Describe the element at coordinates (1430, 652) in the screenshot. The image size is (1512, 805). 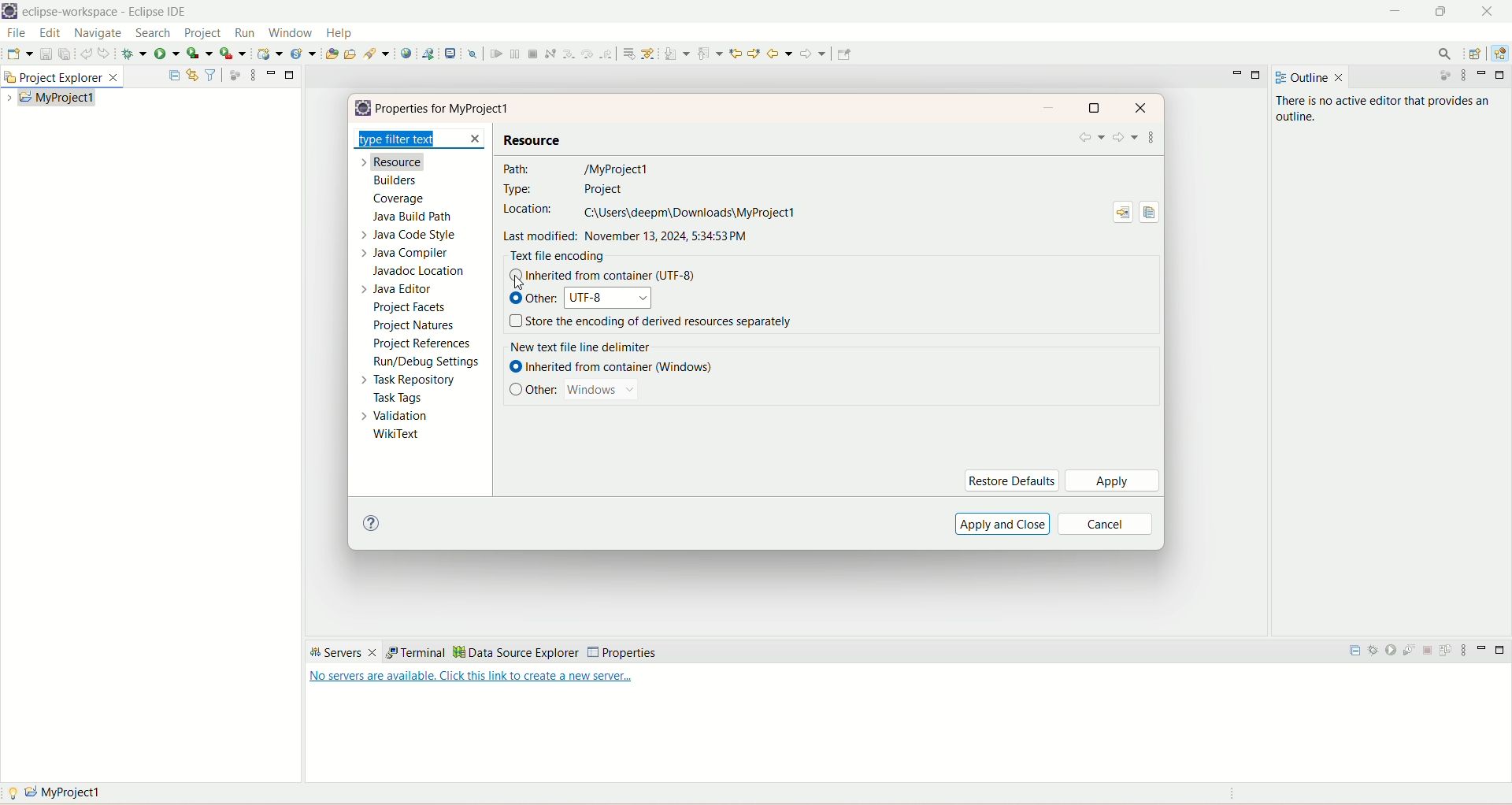
I see `stop the server` at that location.